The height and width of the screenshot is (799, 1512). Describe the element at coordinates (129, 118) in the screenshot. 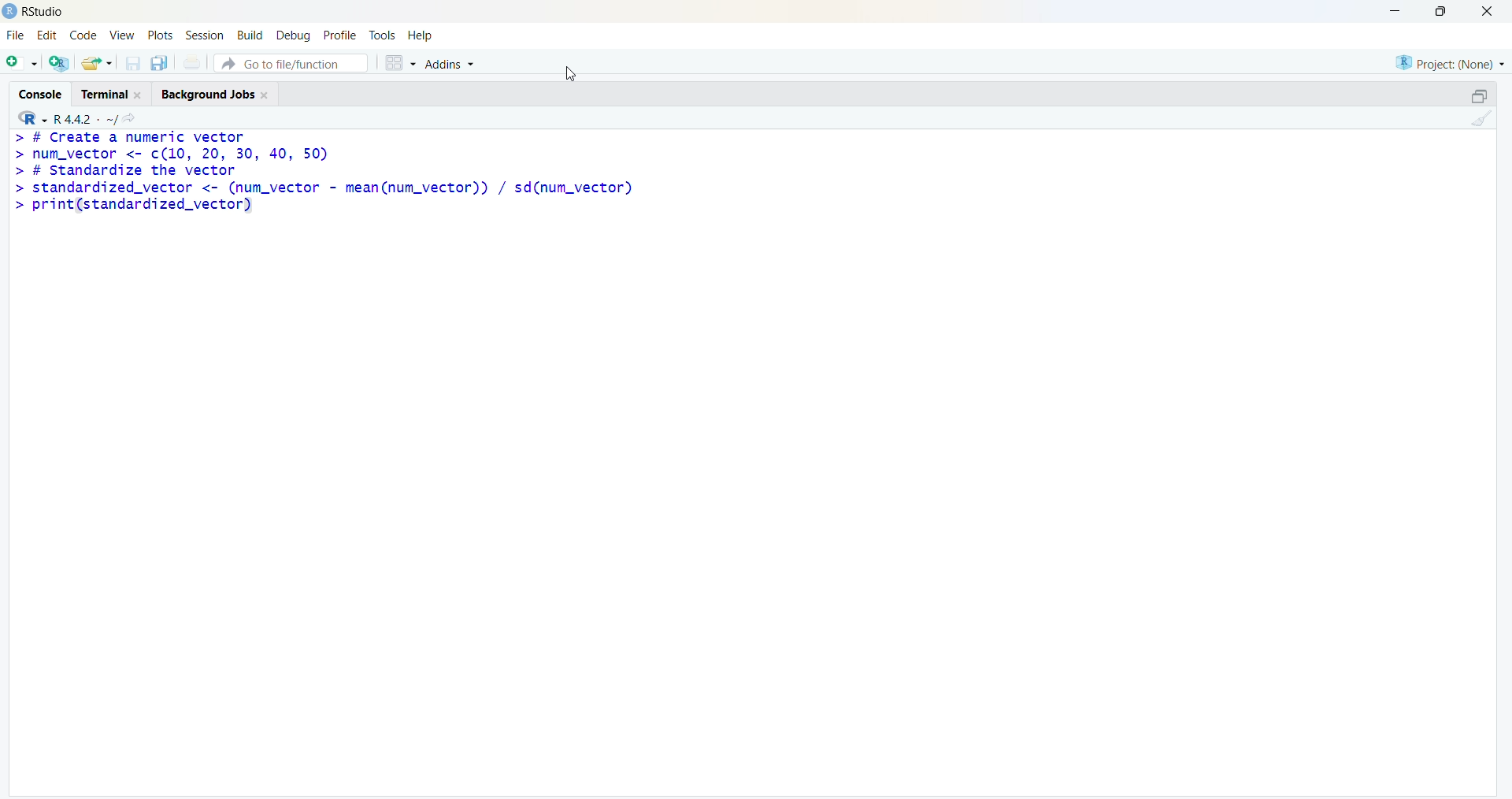

I see `share icon` at that location.